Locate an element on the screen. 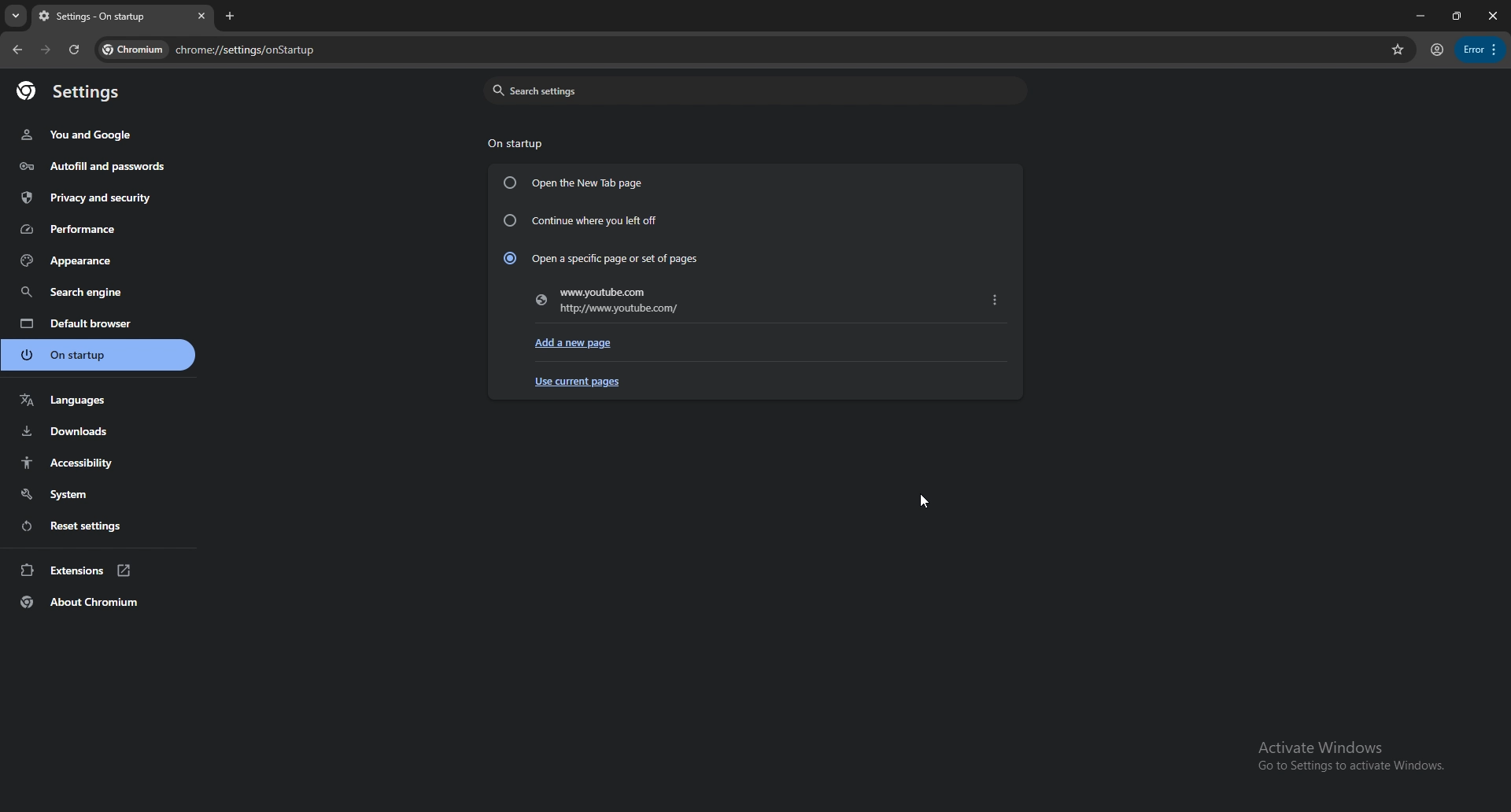 This screenshot has width=1511, height=812. appearance is located at coordinates (100, 260).